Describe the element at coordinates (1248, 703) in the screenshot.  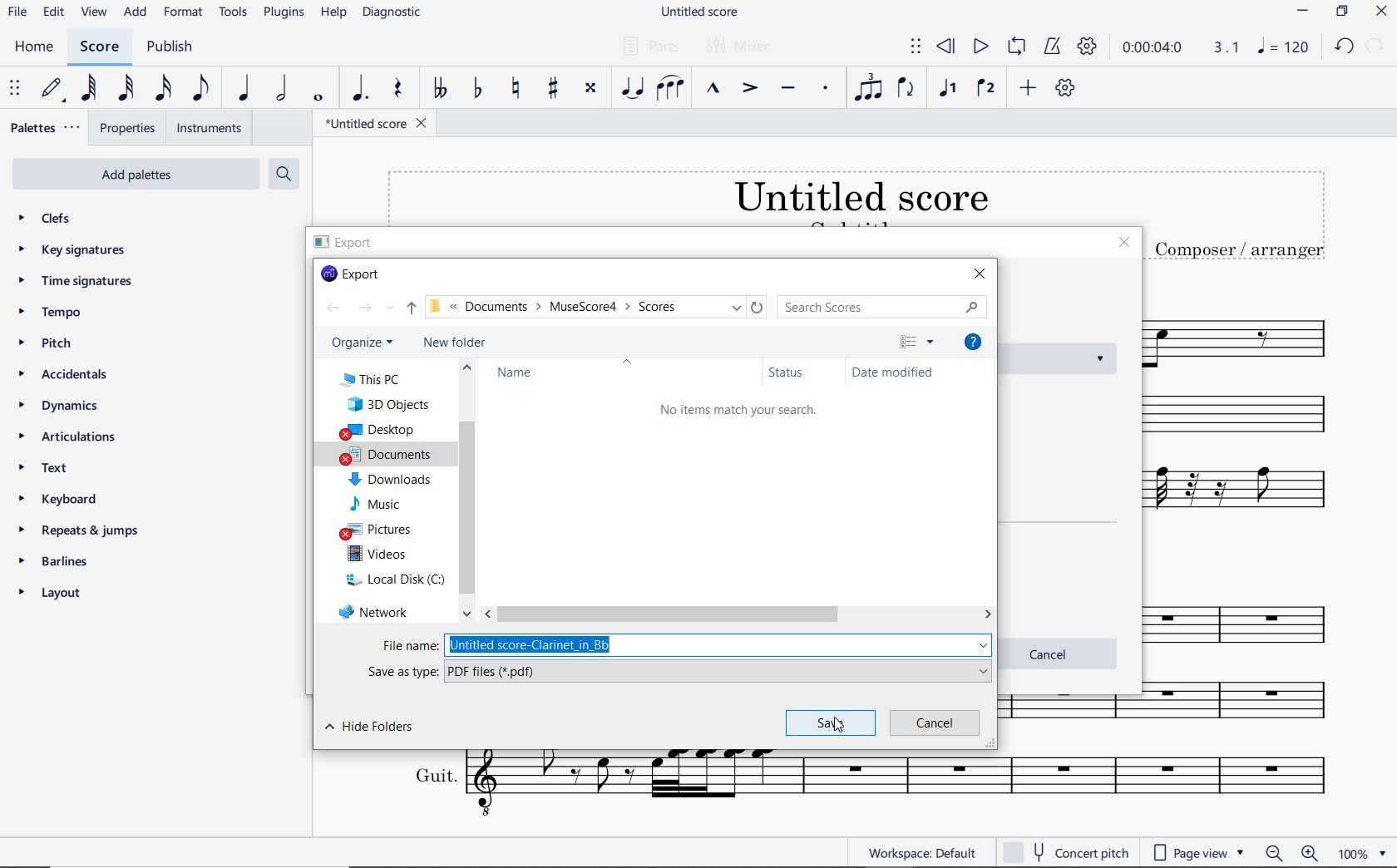
I see `Cl. in B` at that location.